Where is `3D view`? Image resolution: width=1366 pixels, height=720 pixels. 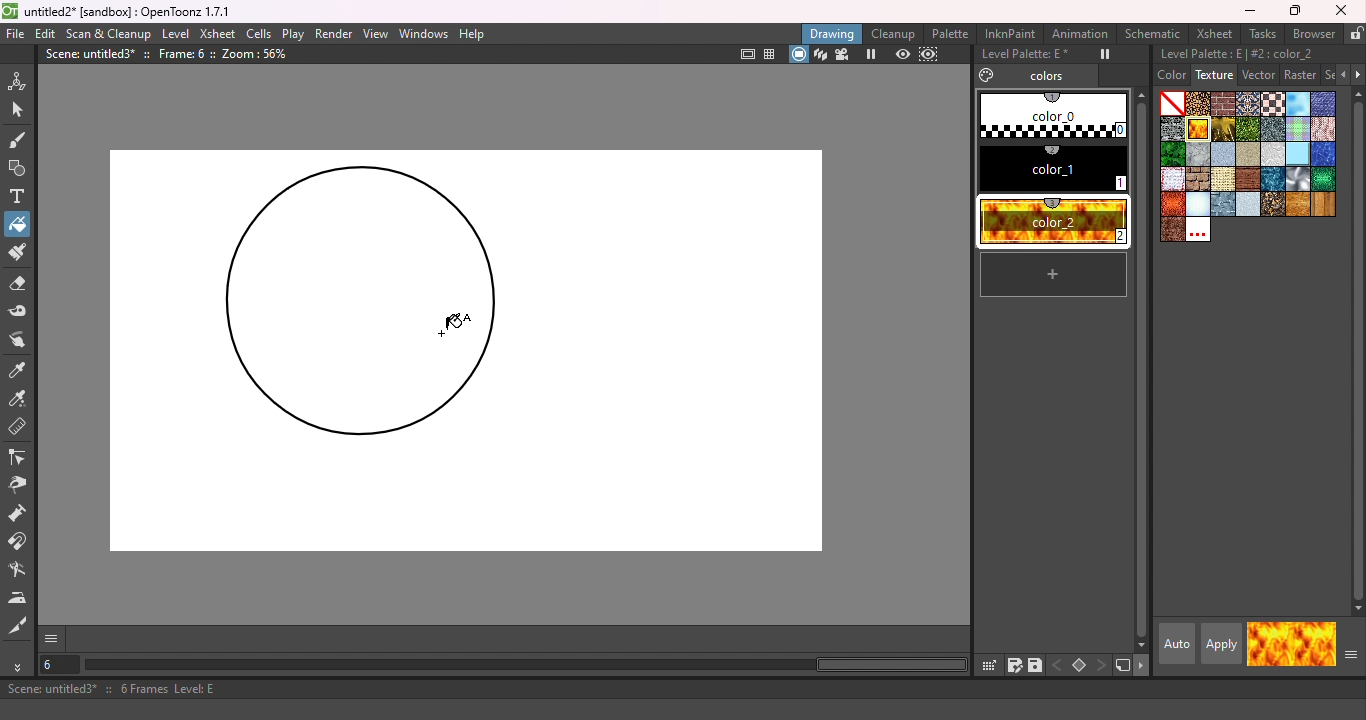
3D view is located at coordinates (820, 54).